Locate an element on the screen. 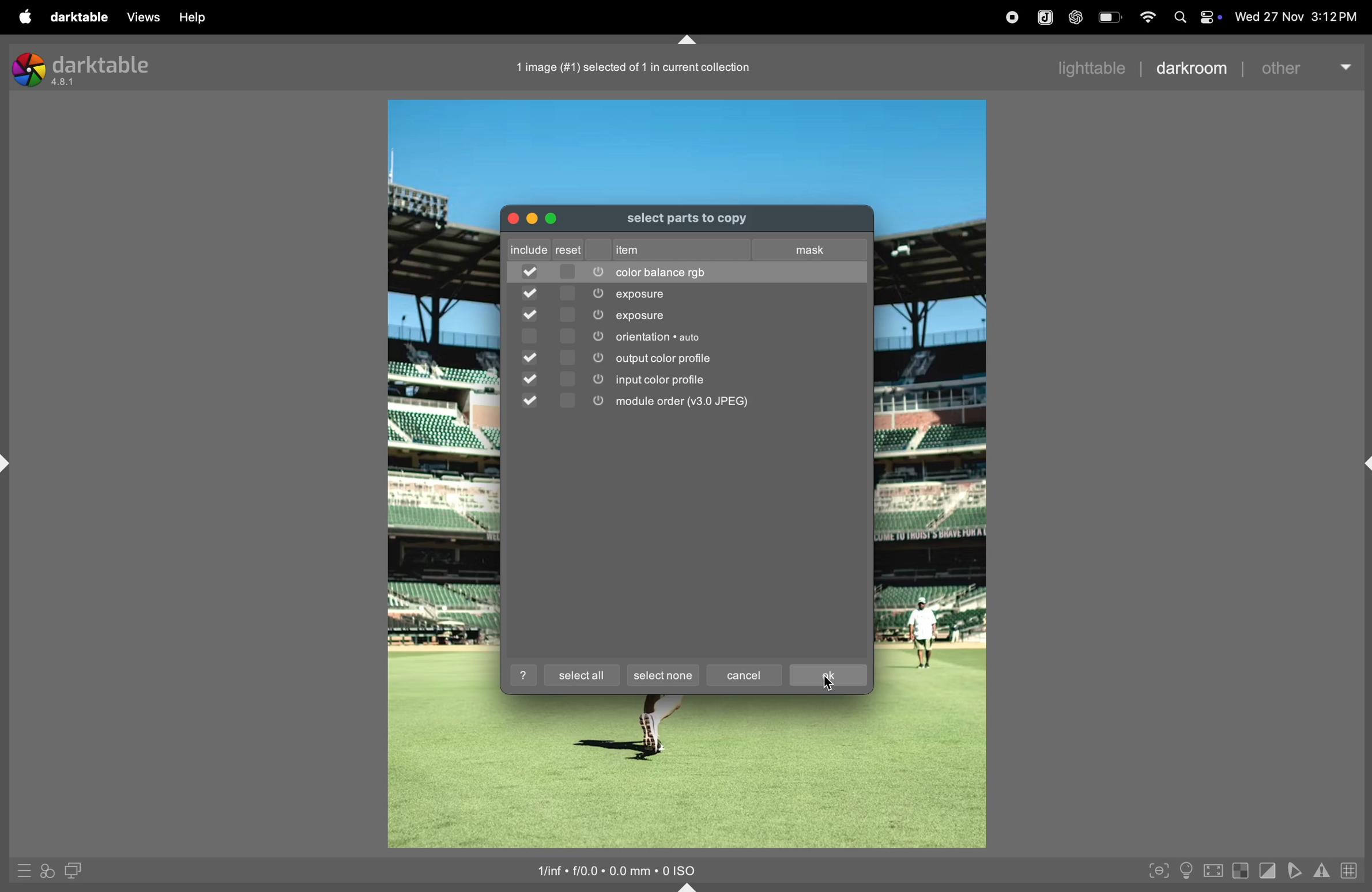 This screenshot has height=892, width=1372. output code profile is located at coordinates (707, 357).